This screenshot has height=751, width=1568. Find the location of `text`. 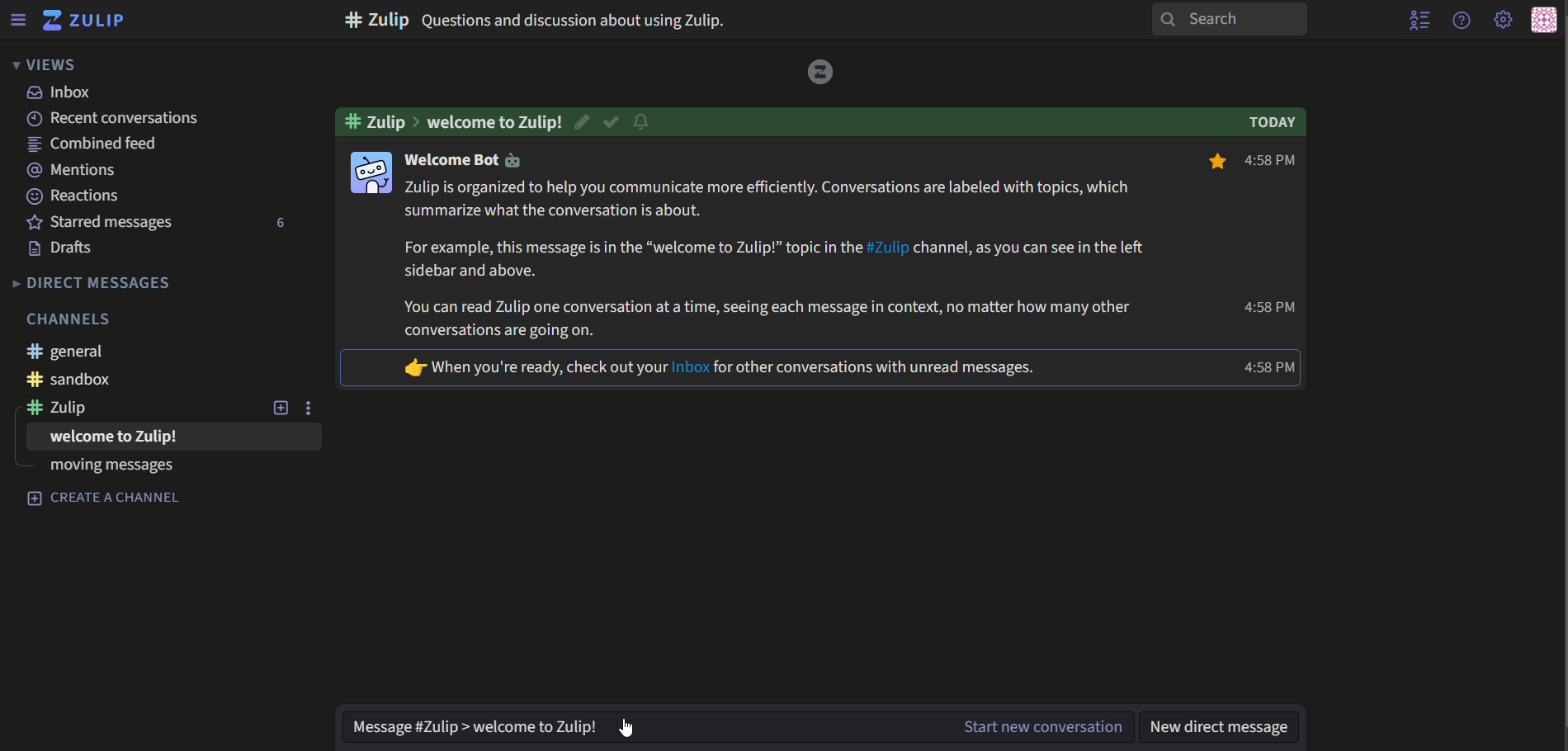

text is located at coordinates (1276, 162).